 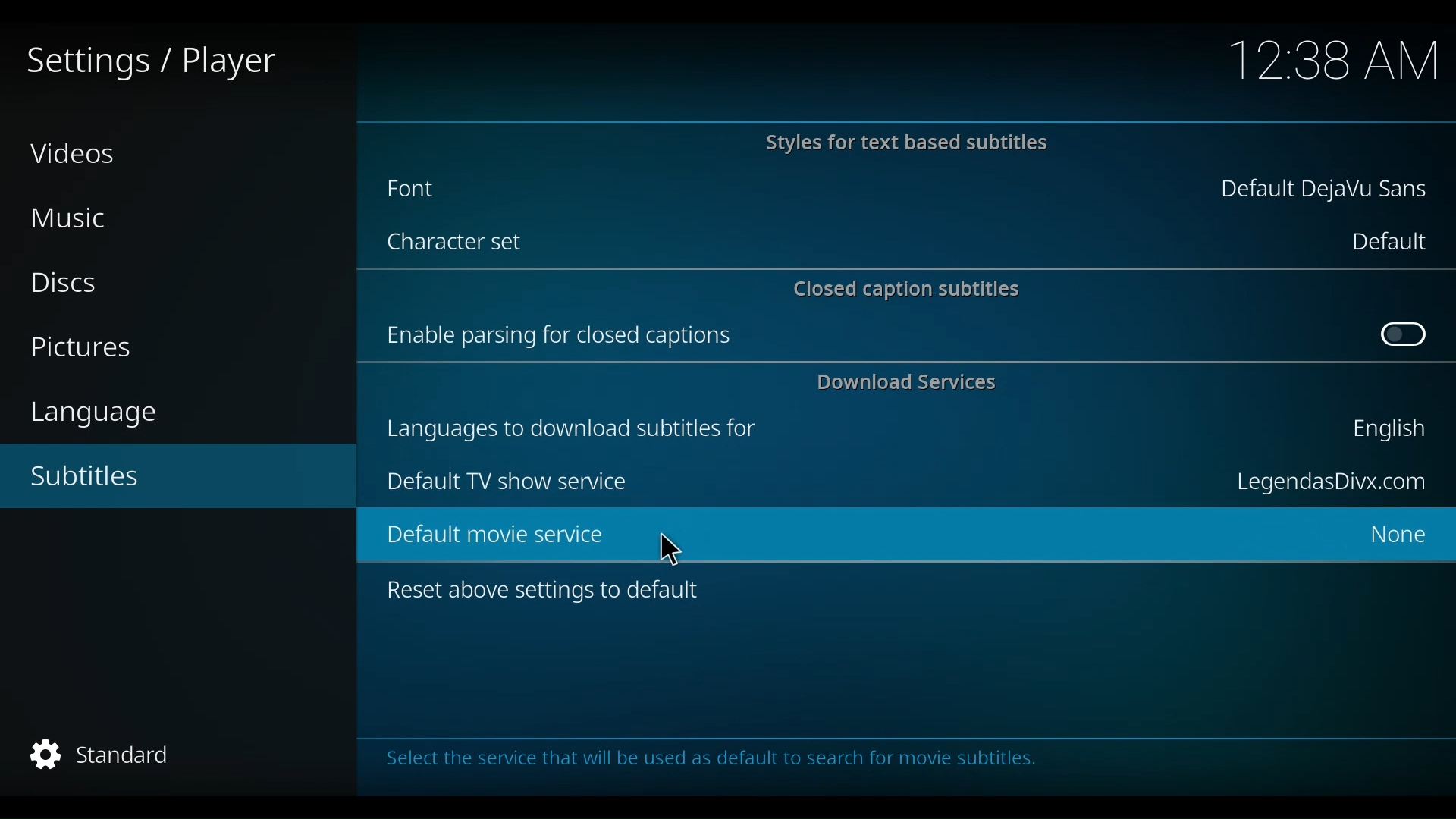 What do you see at coordinates (563, 335) in the screenshot?
I see `Enable parsing for closed captions` at bounding box center [563, 335].